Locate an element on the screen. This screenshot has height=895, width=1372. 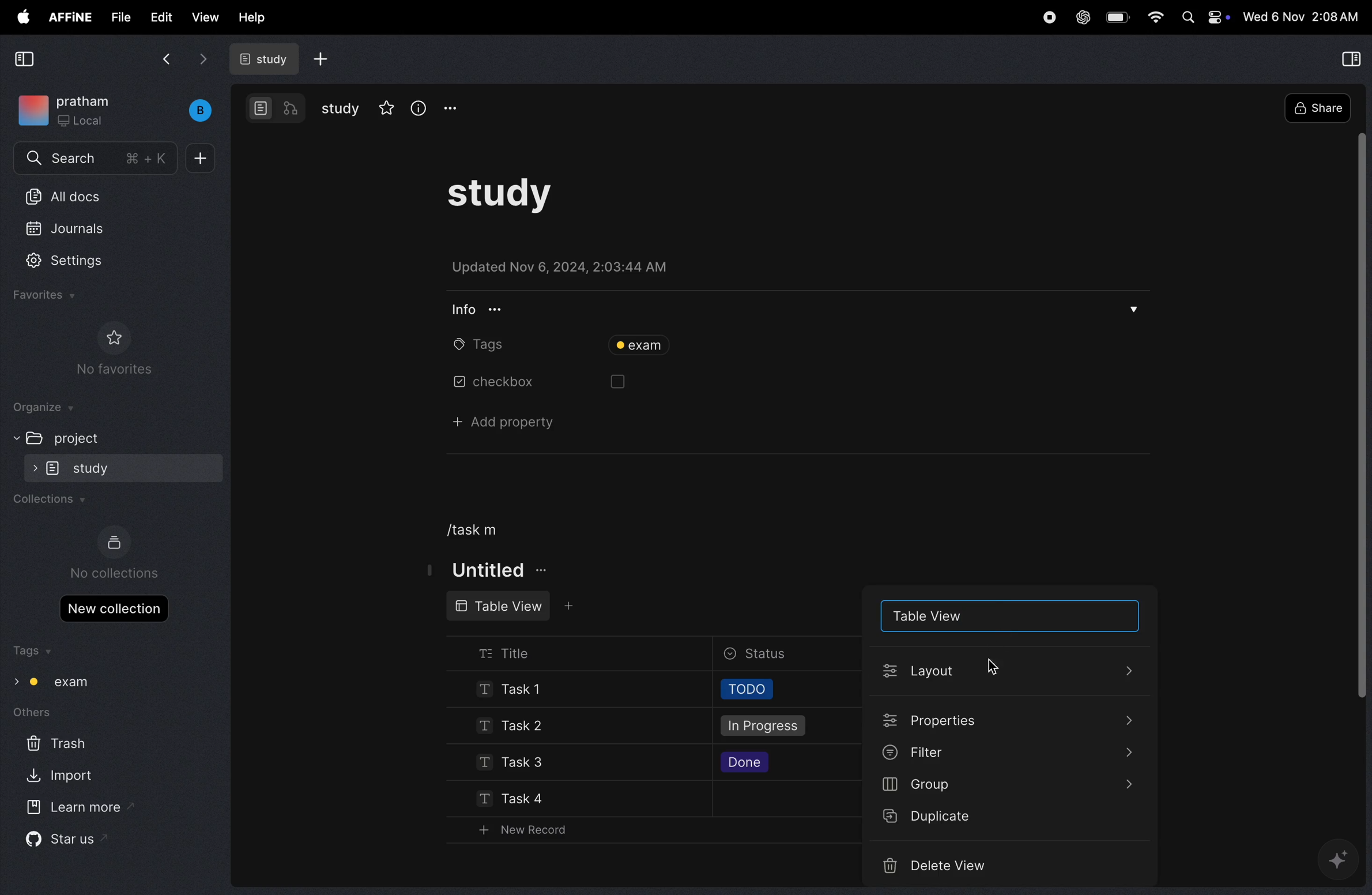
all docs is located at coordinates (81, 196).